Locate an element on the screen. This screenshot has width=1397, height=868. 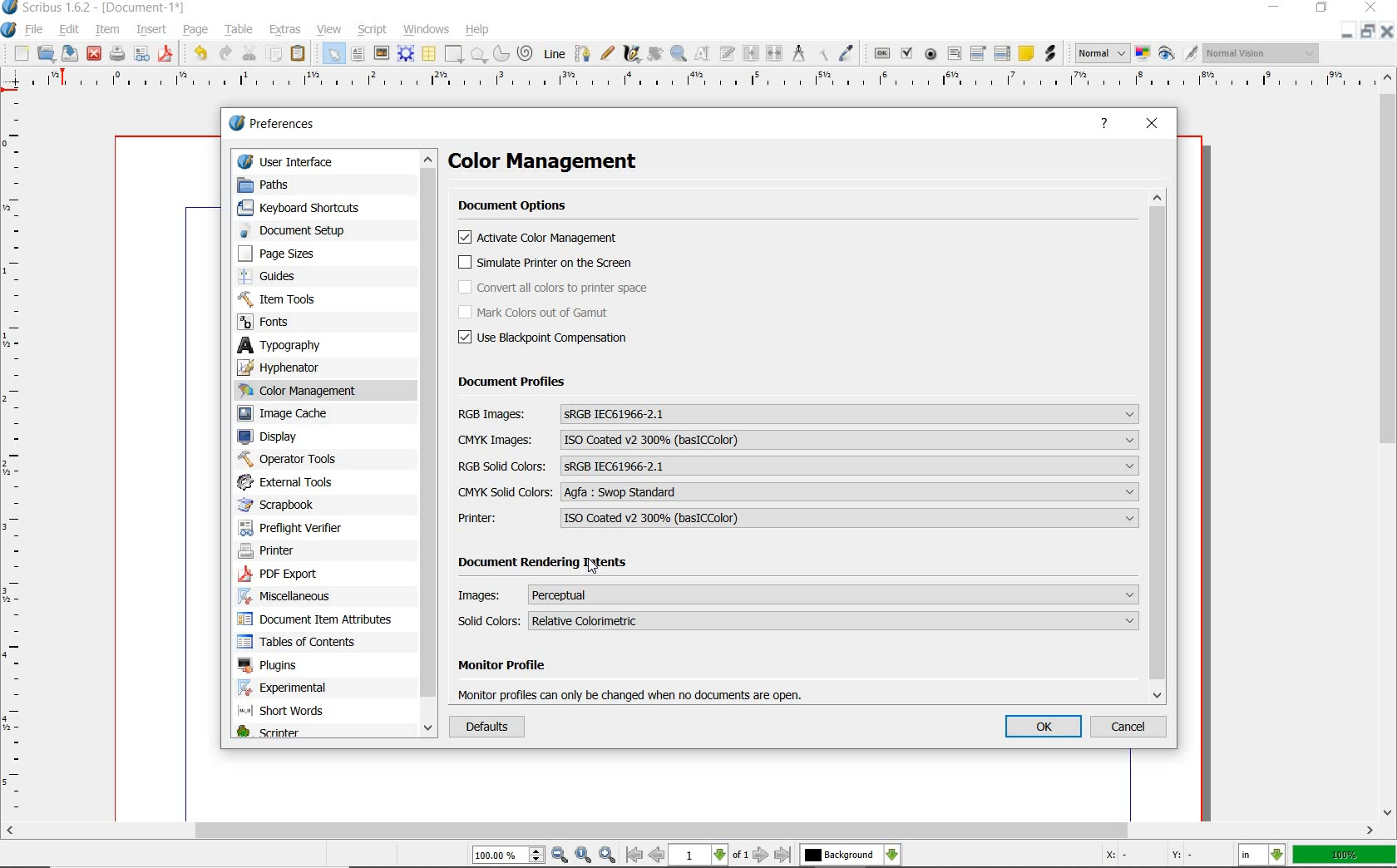
copy is located at coordinates (274, 55).